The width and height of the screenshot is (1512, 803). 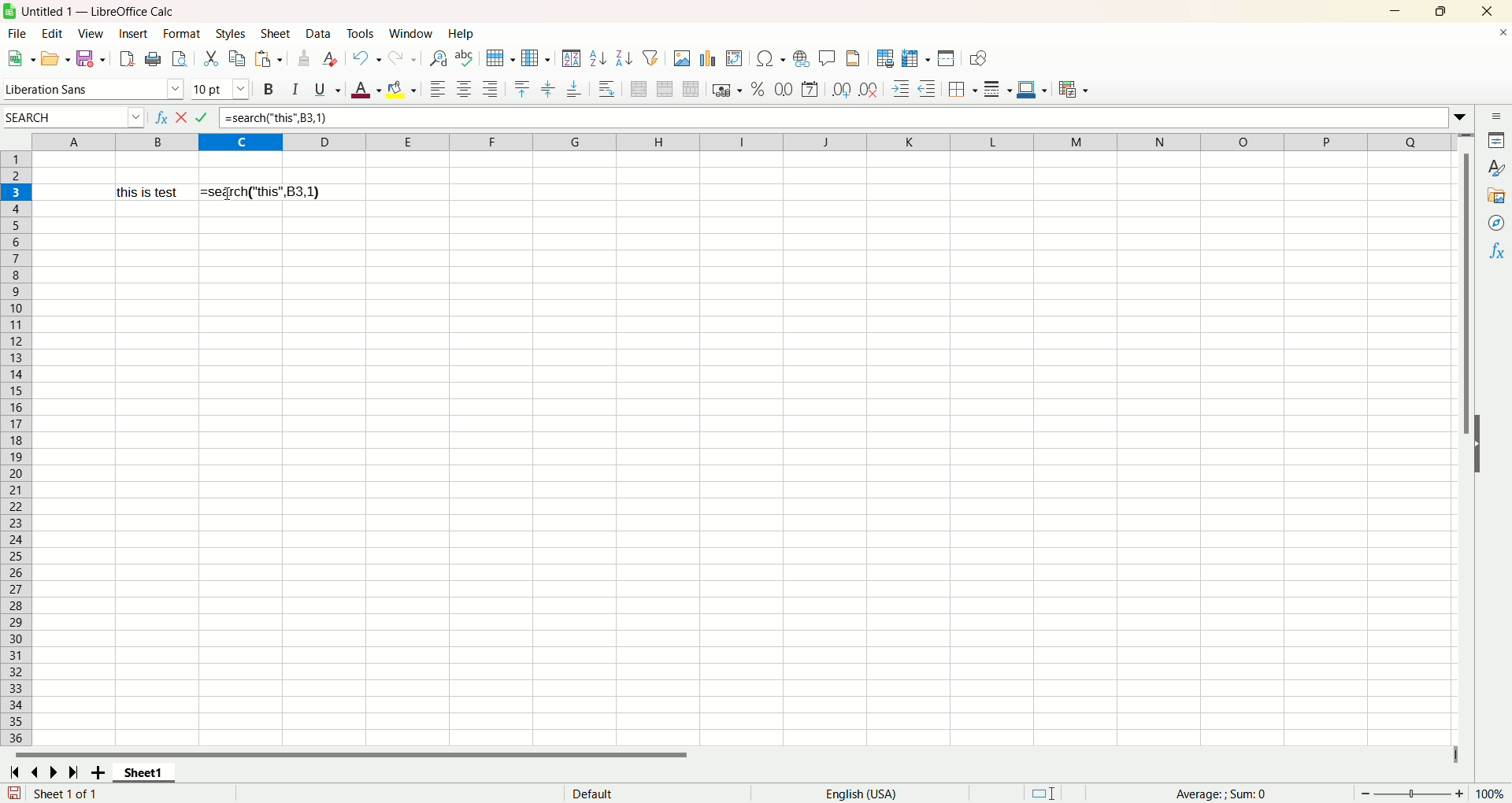 What do you see at coordinates (902, 88) in the screenshot?
I see `increase indent` at bounding box center [902, 88].